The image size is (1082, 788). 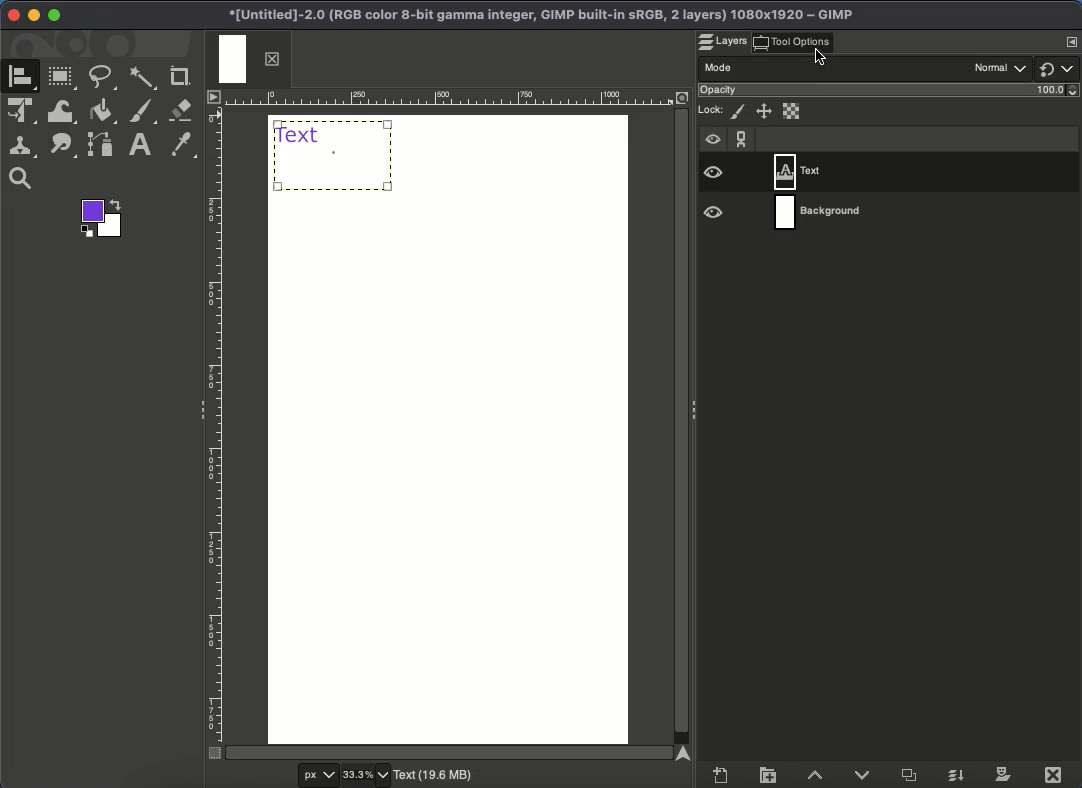 I want to click on px, so click(x=315, y=776).